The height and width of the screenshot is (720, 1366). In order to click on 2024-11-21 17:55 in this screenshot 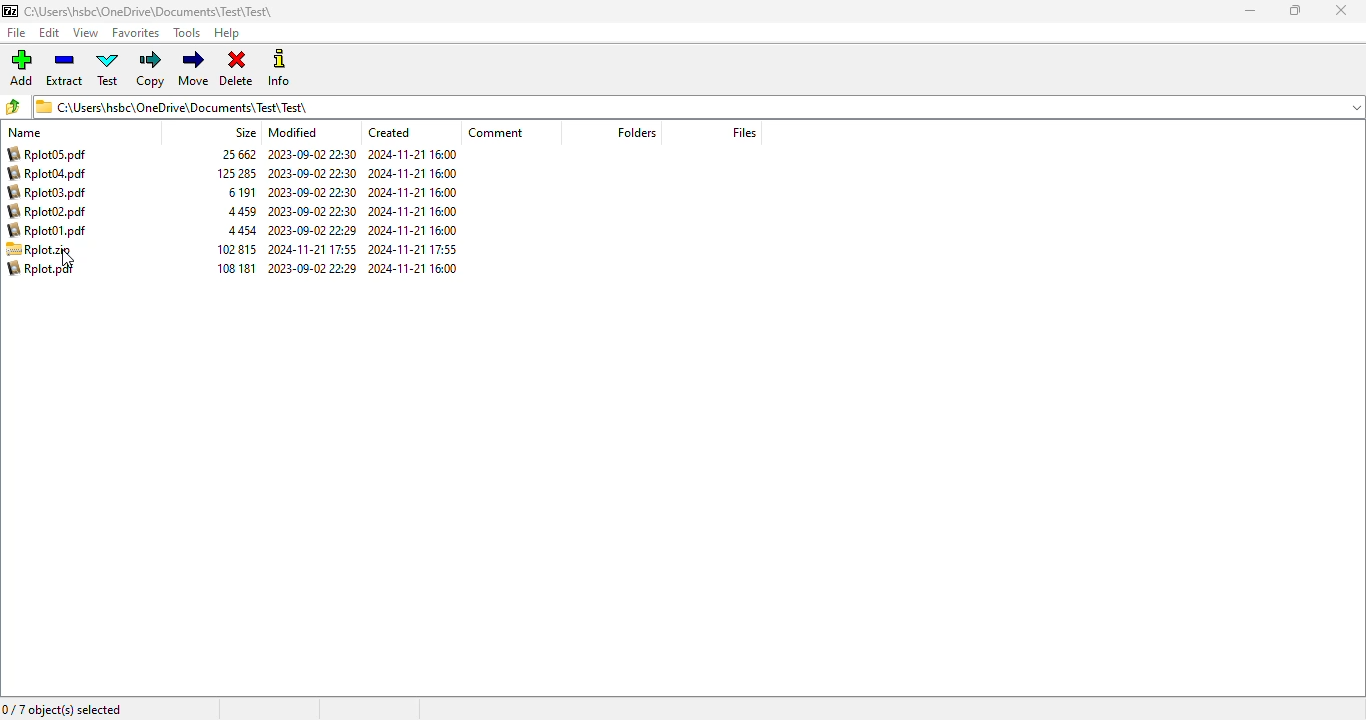, I will do `click(312, 249)`.